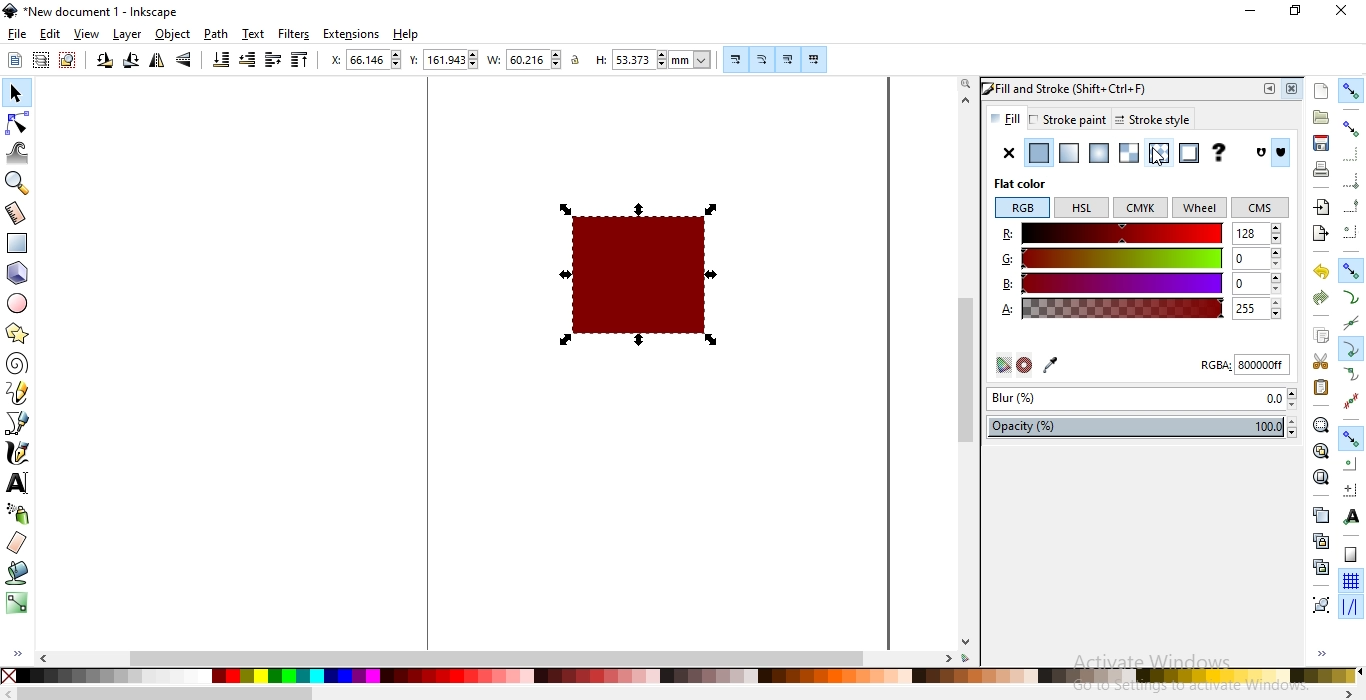 The height and width of the screenshot is (700, 1366). Describe the element at coordinates (16, 575) in the screenshot. I see `fill bounded areas` at that location.